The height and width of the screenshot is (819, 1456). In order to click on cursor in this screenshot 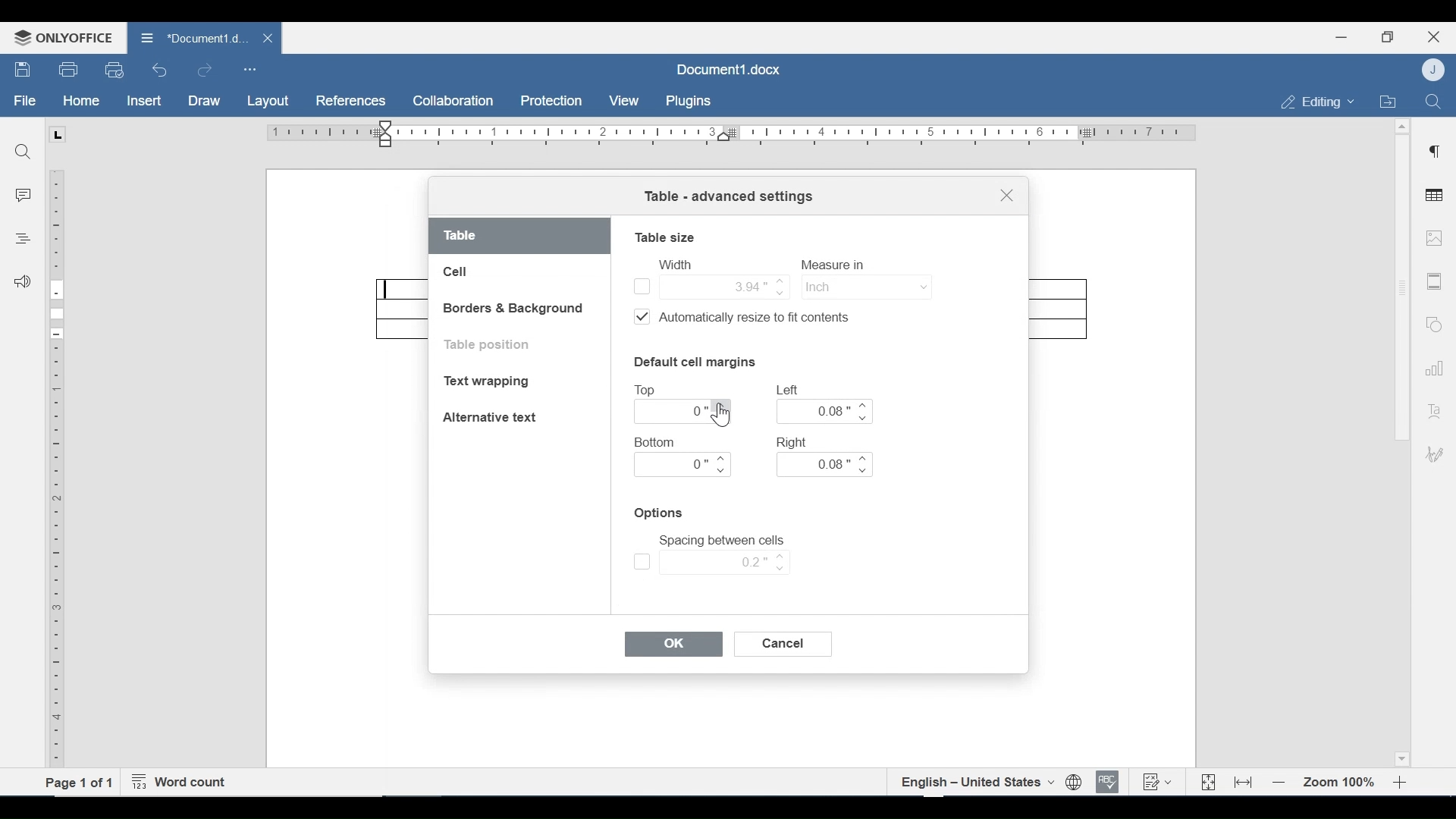, I will do `click(722, 418)`.